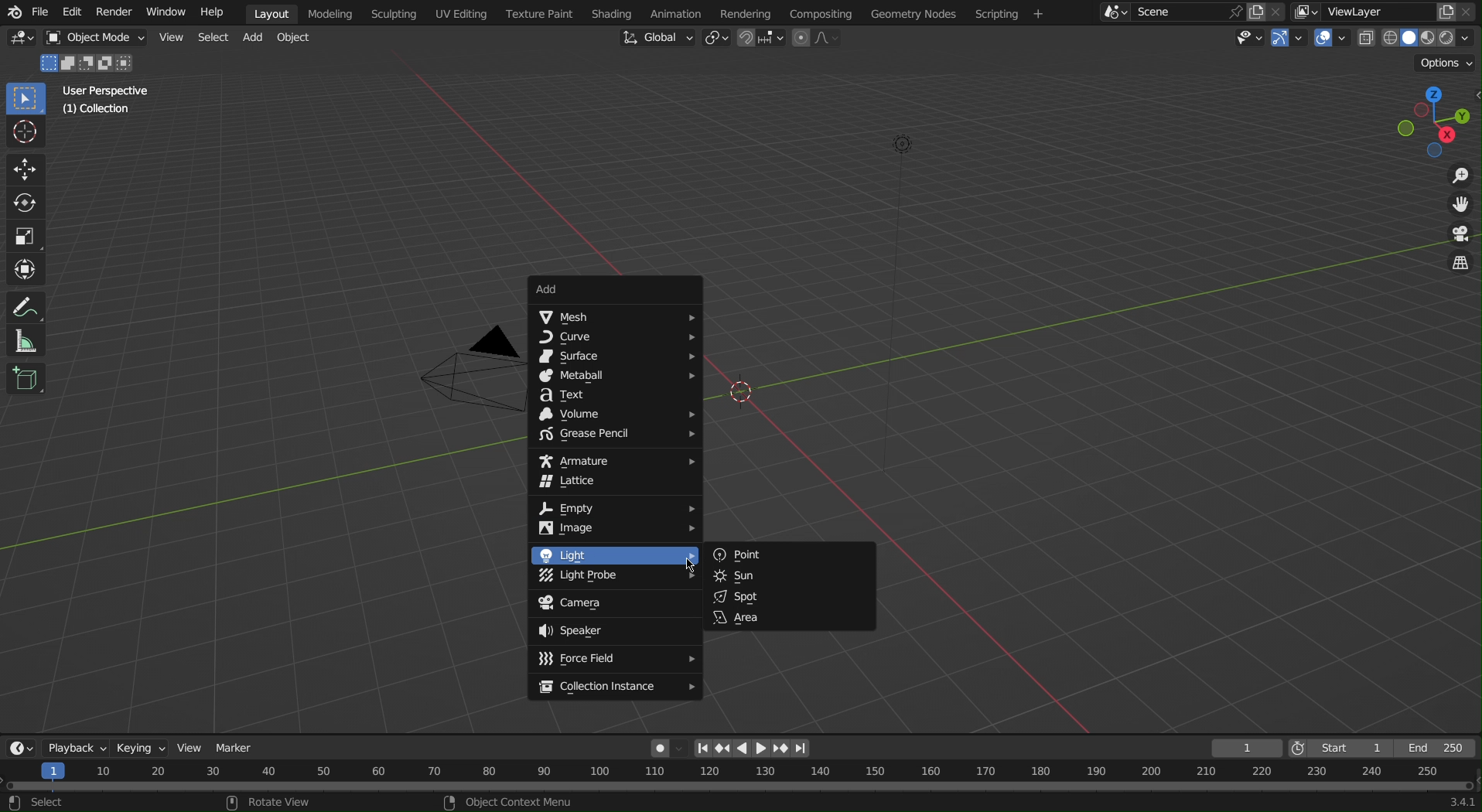 This screenshot has width=1482, height=812. What do you see at coordinates (1291, 40) in the screenshot?
I see `Show Gizmos` at bounding box center [1291, 40].